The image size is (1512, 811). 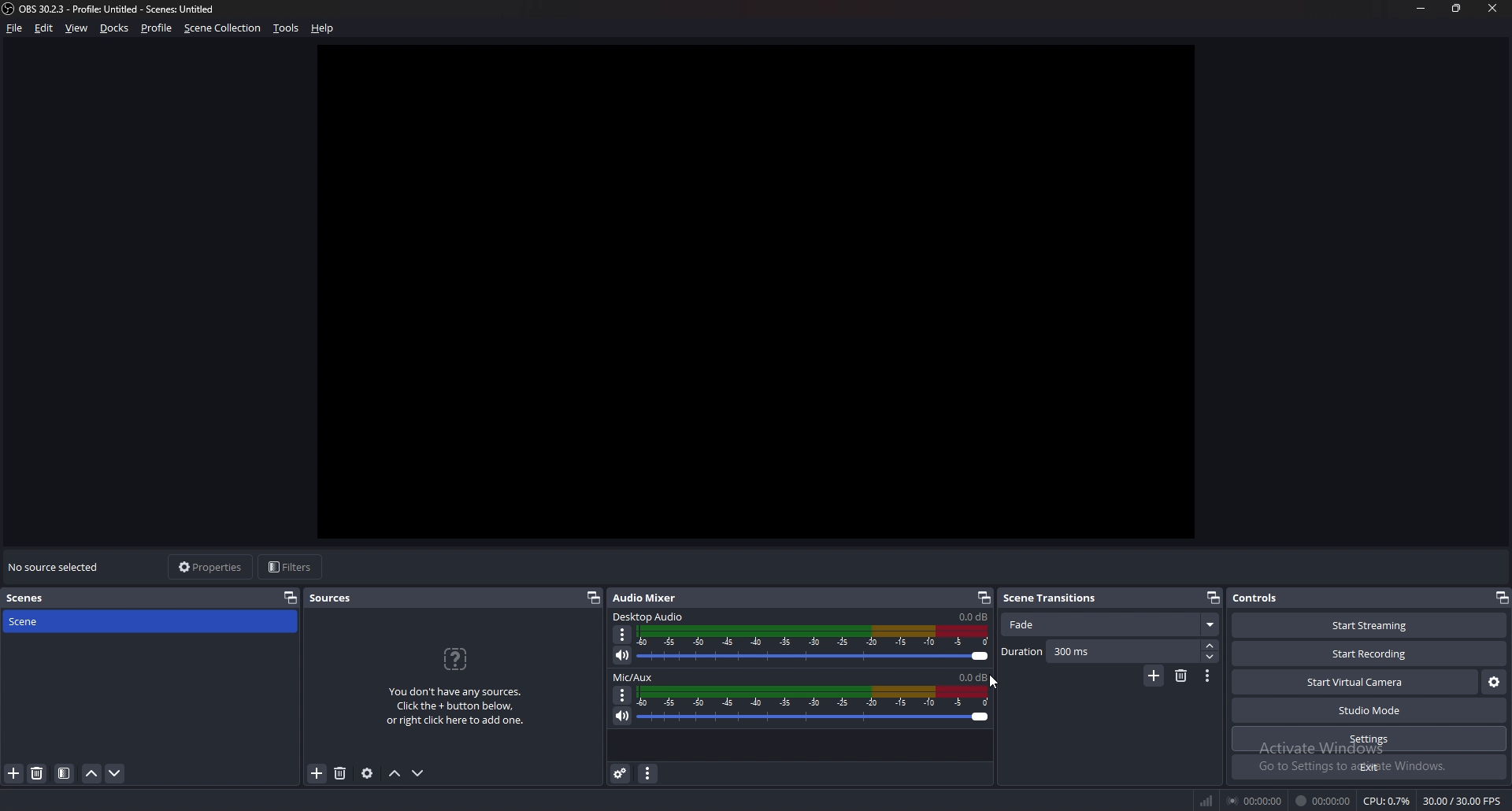 I want to click on workspace, so click(x=770, y=291).